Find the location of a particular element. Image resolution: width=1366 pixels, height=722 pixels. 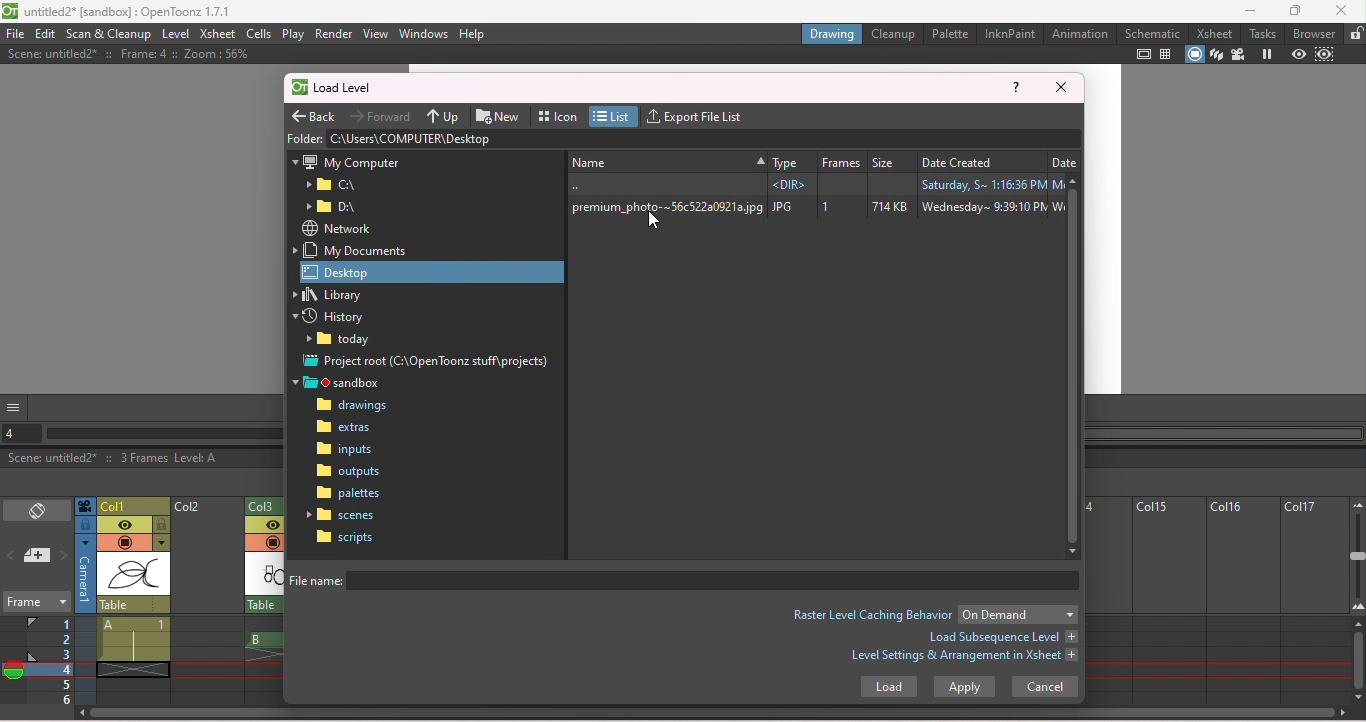

Frame is located at coordinates (35, 604).